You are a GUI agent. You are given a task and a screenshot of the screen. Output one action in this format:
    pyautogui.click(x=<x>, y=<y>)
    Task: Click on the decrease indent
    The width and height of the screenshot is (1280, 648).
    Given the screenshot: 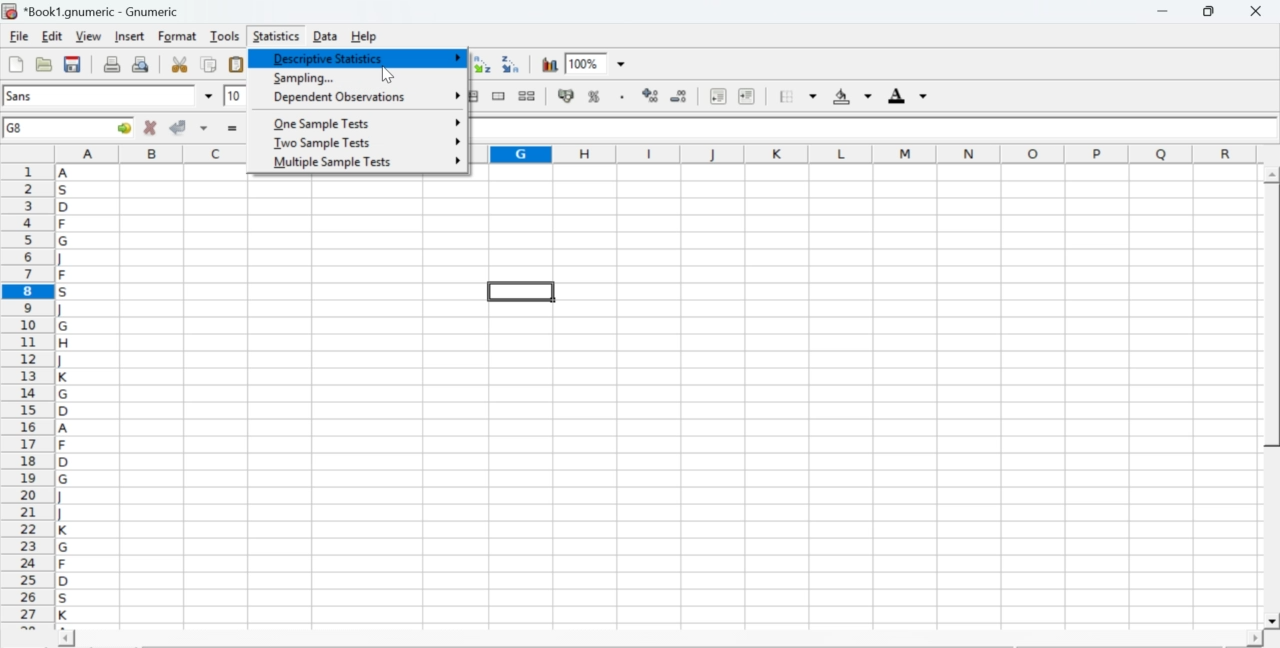 What is the action you would take?
    pyautogui.click(x=718, y=95)
    